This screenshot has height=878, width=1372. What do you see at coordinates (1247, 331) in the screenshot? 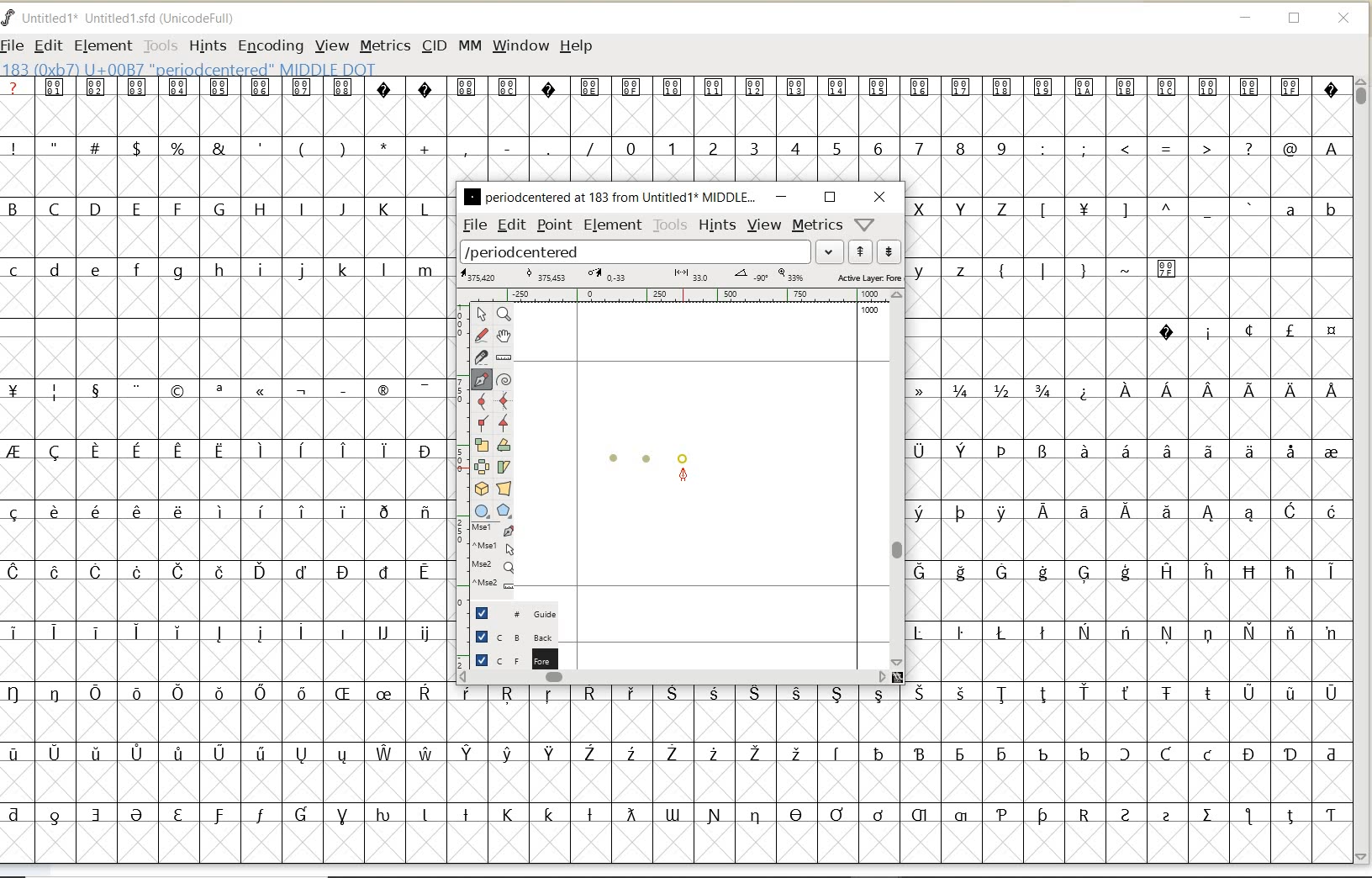
I see `special characters` at bounding box center [1247, 331].